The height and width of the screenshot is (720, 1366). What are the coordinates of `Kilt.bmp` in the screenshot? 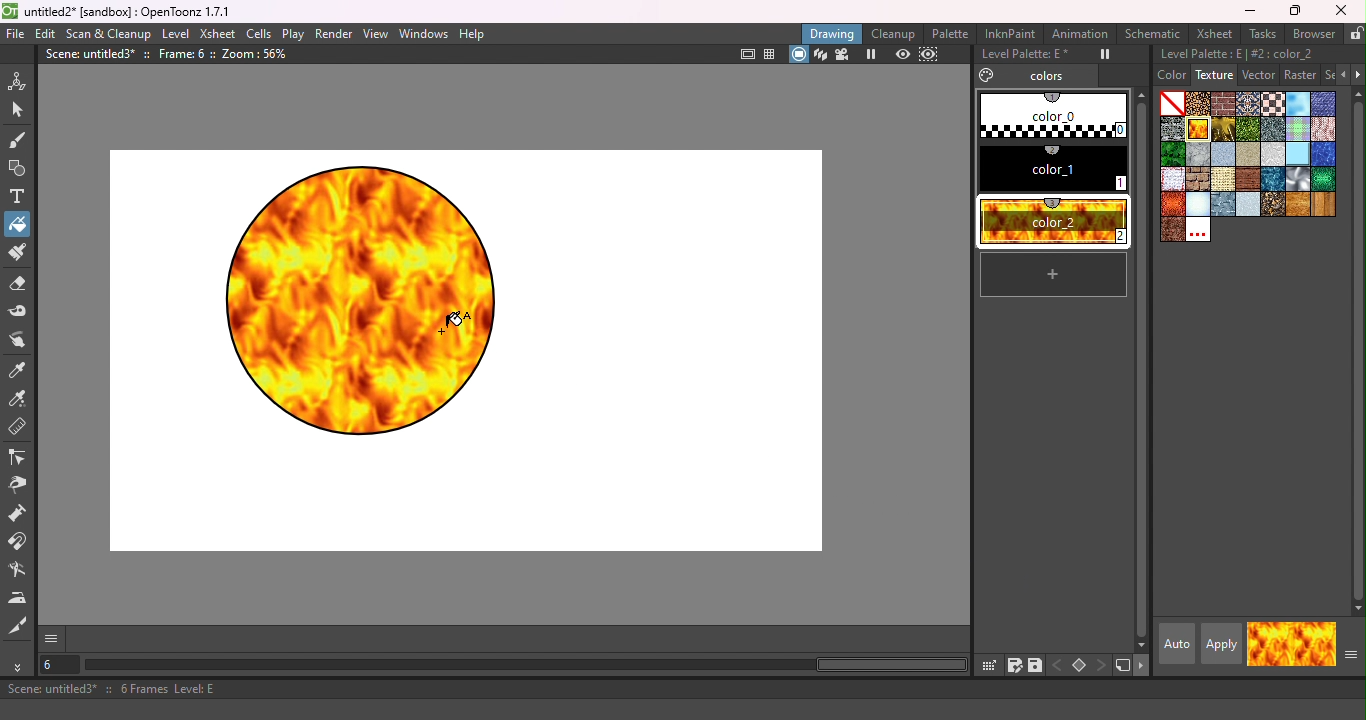 It's located at (1297, 129).